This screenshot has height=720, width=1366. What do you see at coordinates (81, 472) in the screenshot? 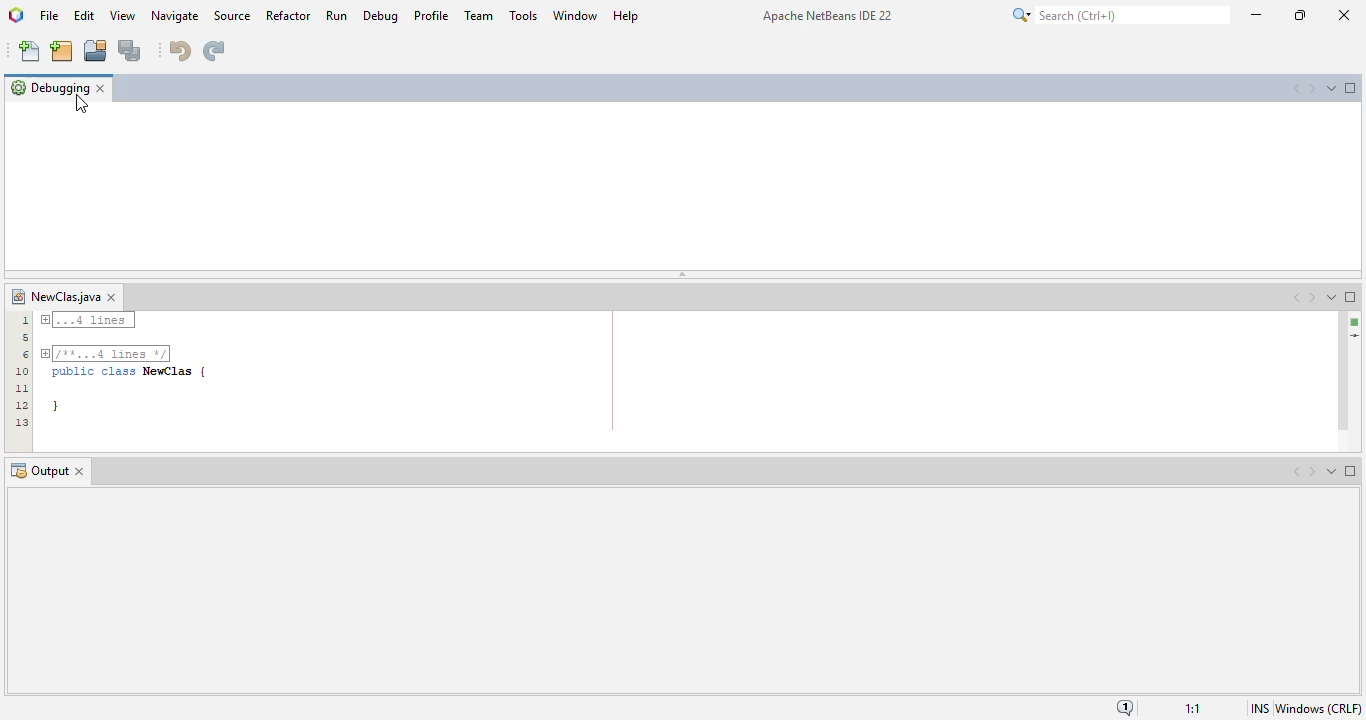
I see `close window` at bounding box center [81, 472].